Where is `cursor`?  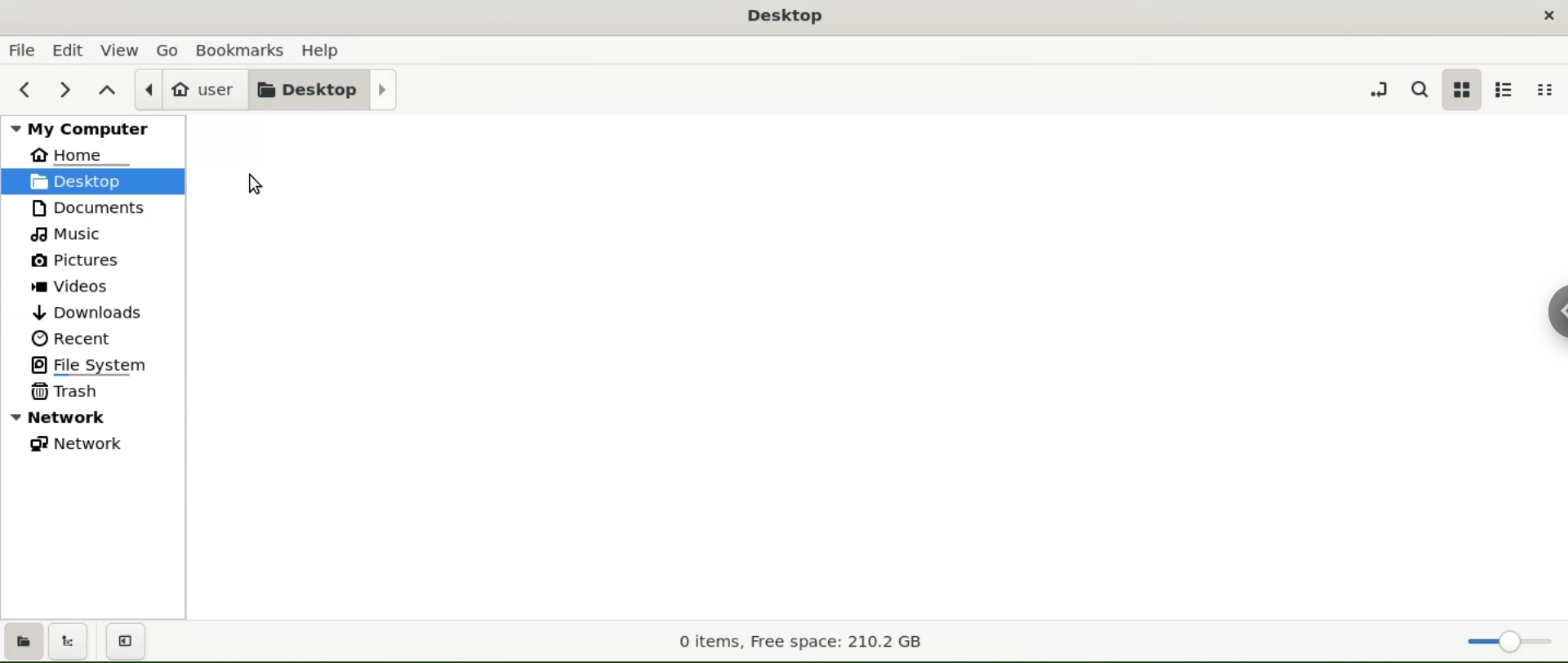
cursor is located at coordinates (258, 185).